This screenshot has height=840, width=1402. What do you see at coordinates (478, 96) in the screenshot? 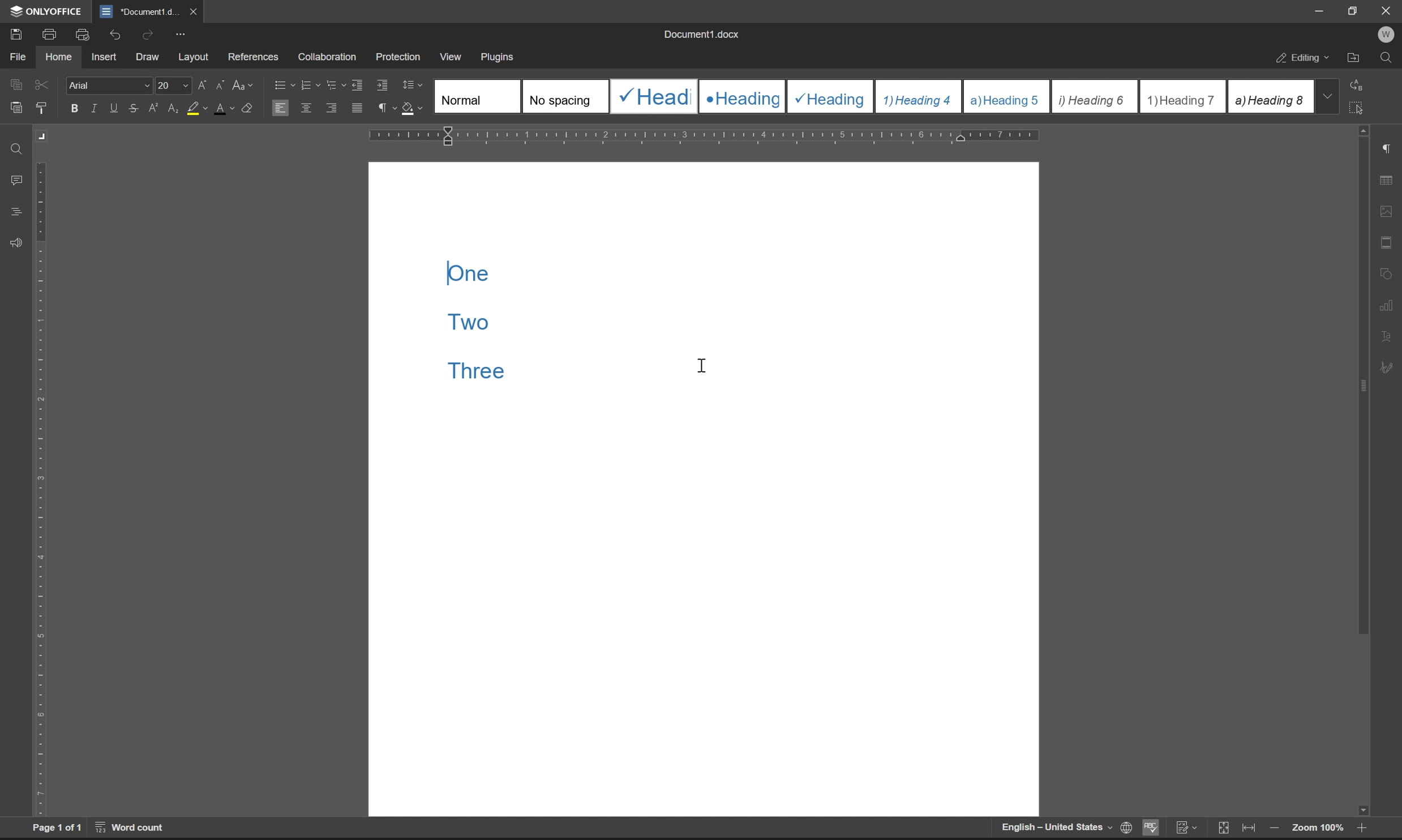
I see `Normal` at bounding box center [478, 96].